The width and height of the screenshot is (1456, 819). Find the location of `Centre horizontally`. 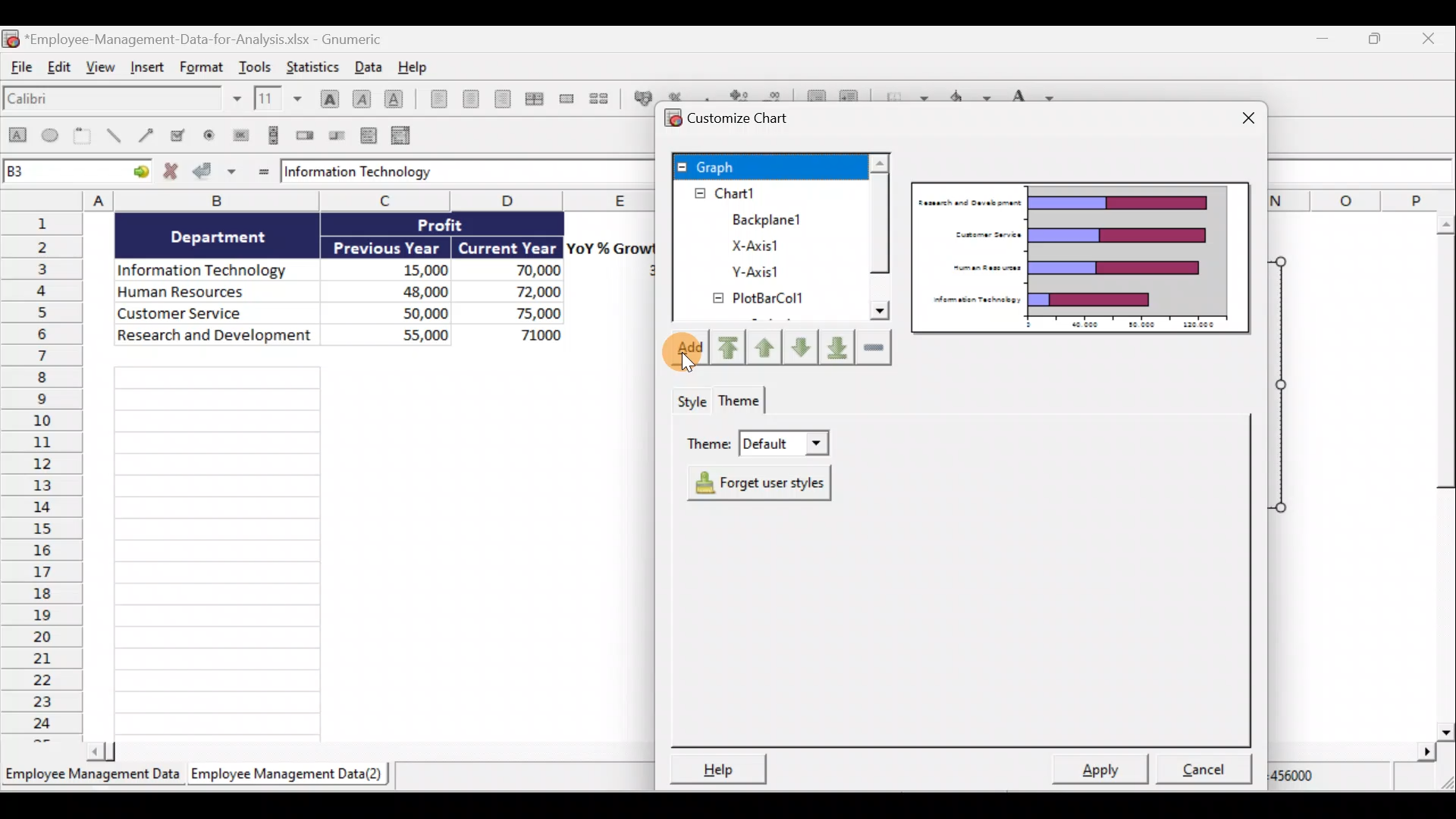

Centre horizontally is located at coordinates (467, 99).